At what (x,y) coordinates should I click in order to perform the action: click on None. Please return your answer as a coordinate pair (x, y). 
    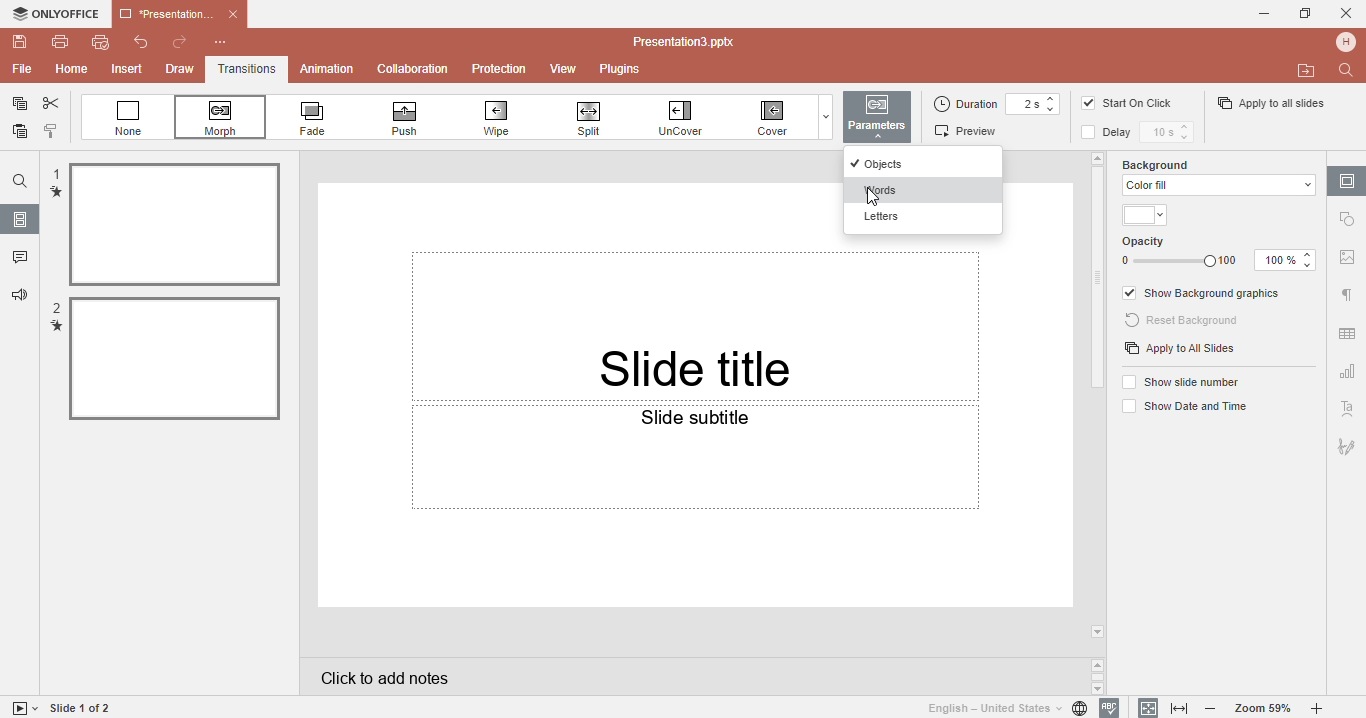
    Looking at the image, I should click on (129, 118).